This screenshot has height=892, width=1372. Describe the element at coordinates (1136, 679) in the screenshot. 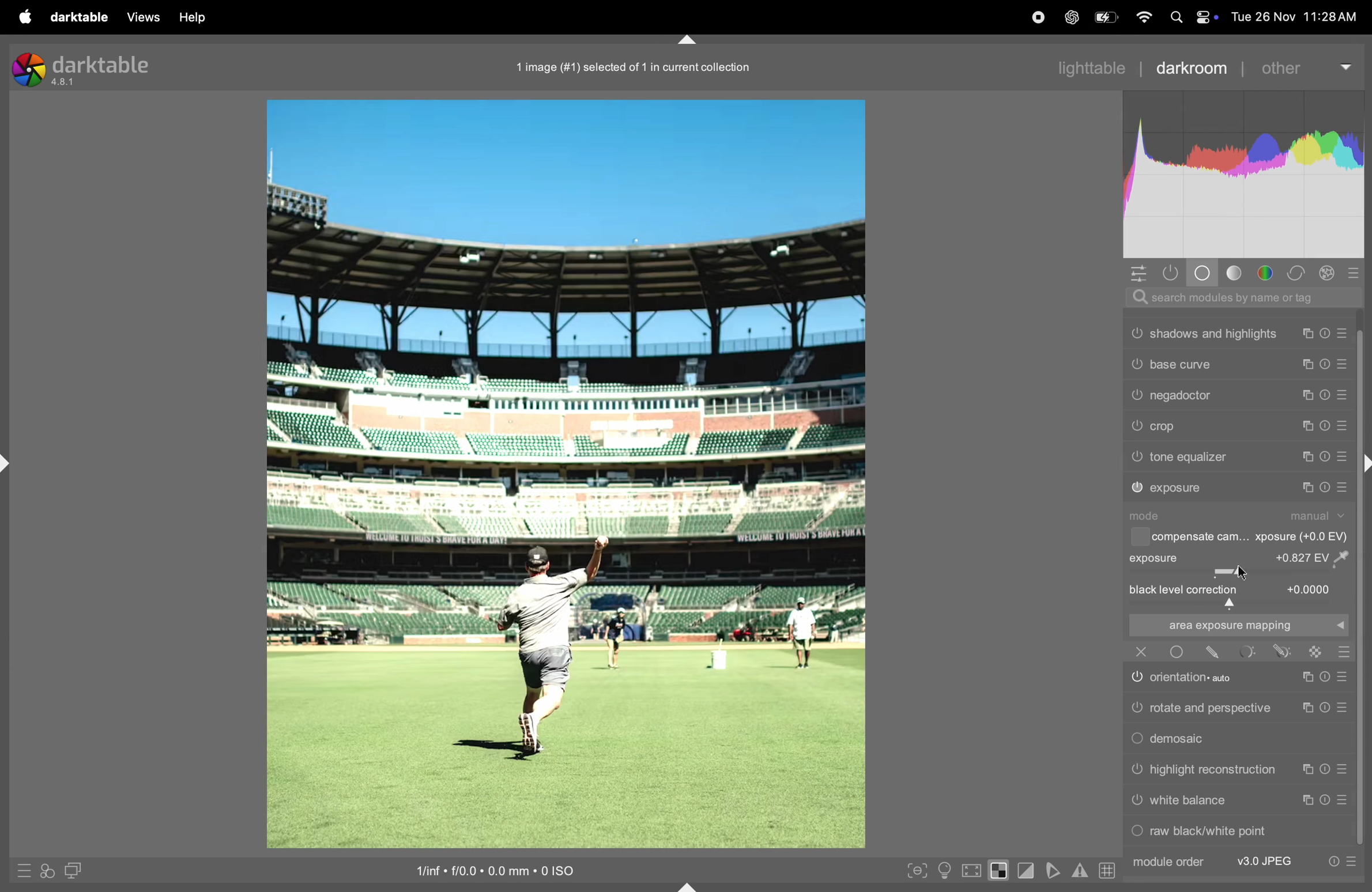

I see `Switch on or off` at that location.